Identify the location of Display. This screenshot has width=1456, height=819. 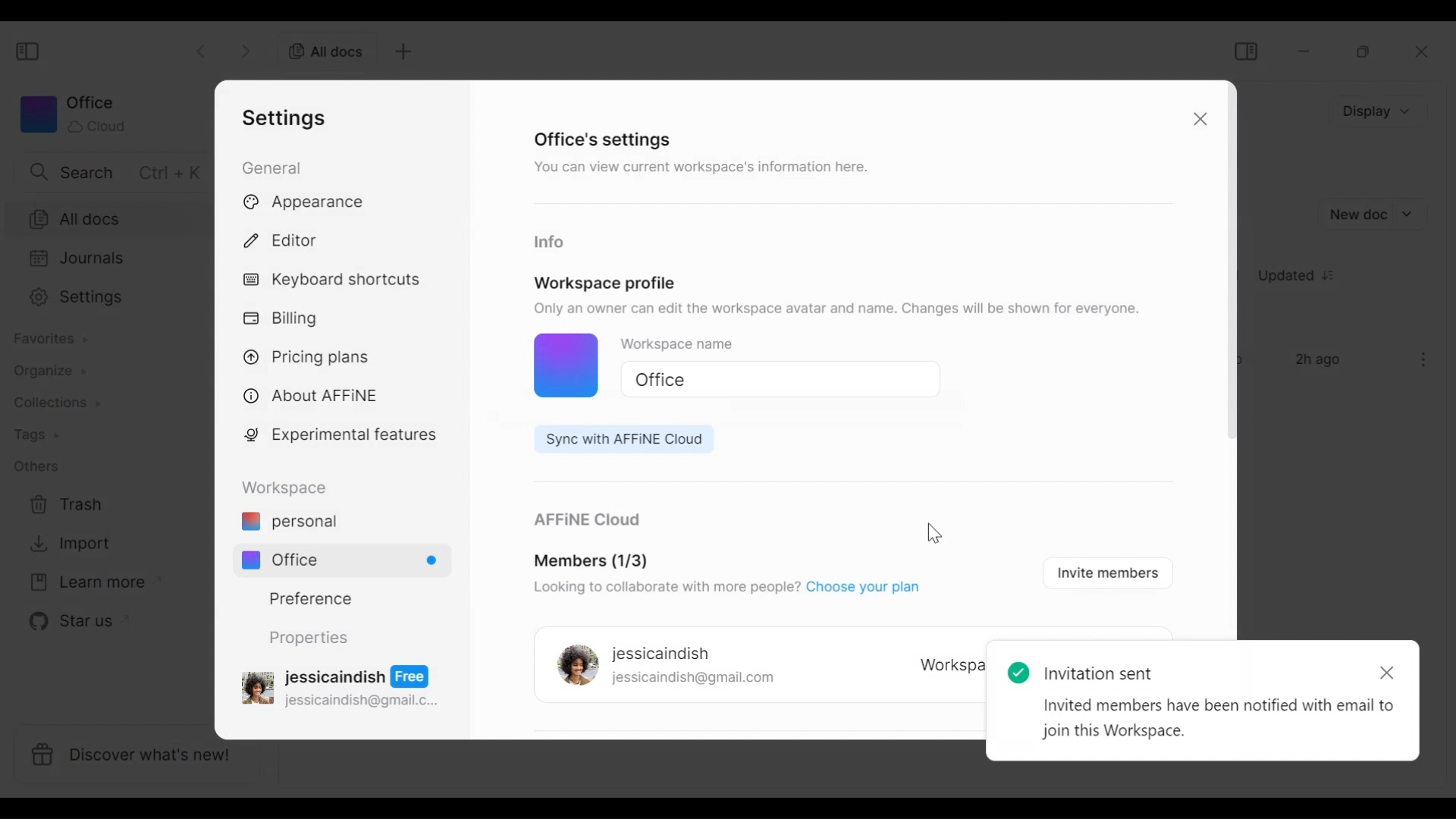
(1380, 110).